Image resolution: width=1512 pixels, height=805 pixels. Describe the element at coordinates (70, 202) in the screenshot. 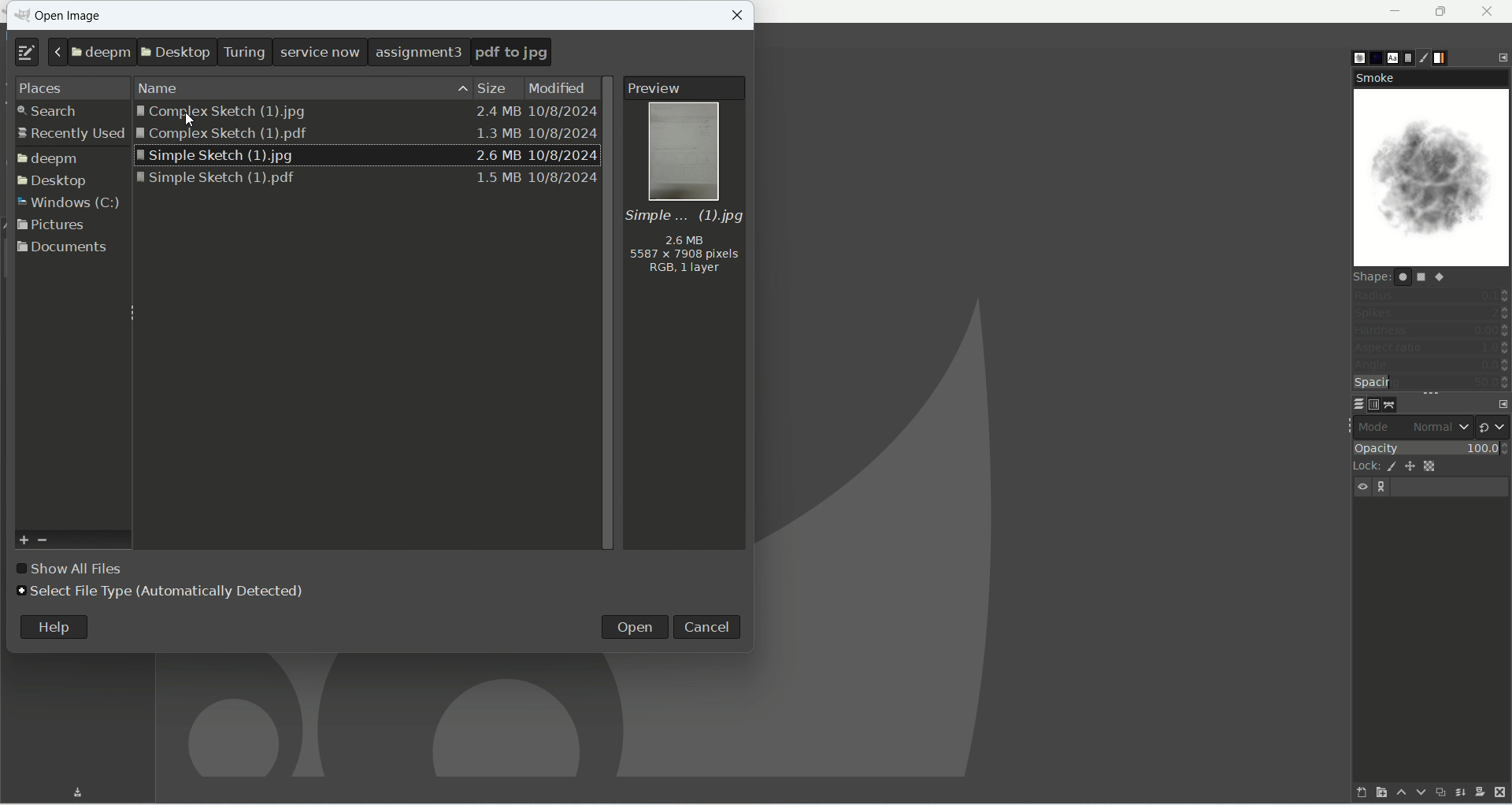

I see `window` at that location.